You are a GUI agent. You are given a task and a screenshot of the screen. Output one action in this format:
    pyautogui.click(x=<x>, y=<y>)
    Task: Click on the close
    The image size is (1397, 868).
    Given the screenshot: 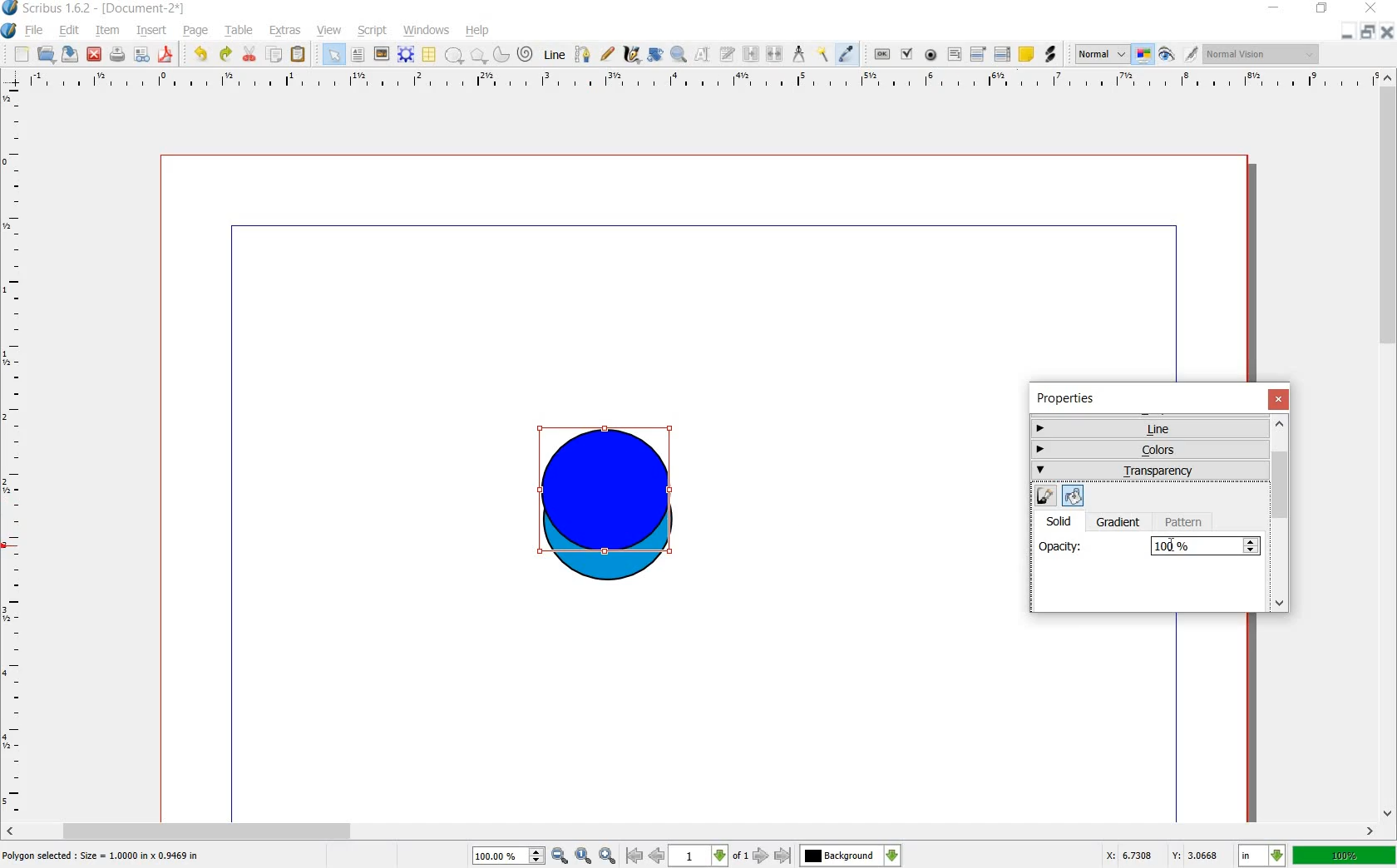 What is the action you would take?
    pyautogui.click(x=1281, y=399)
    